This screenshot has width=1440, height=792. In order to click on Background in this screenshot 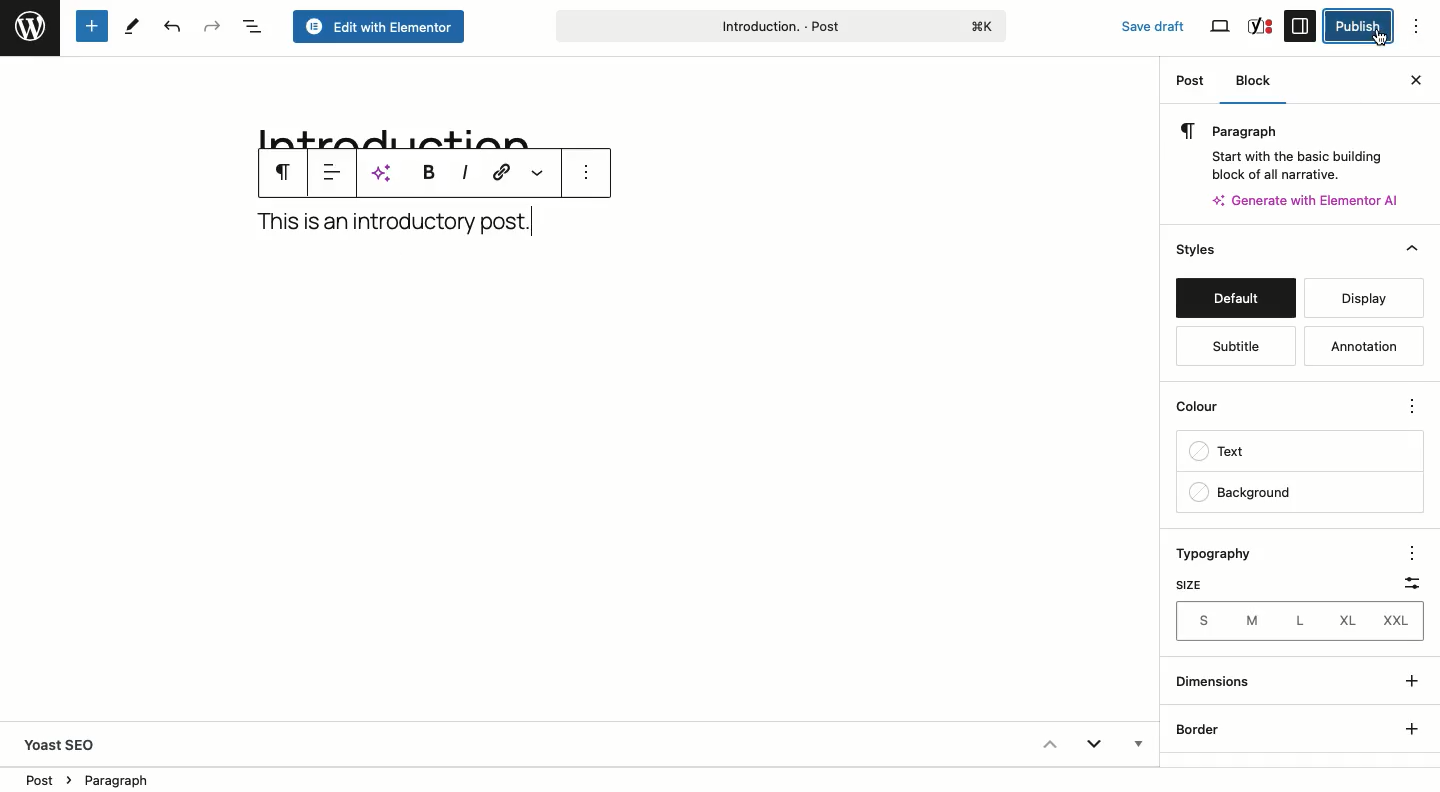, I will do `click(1241, 493)`.